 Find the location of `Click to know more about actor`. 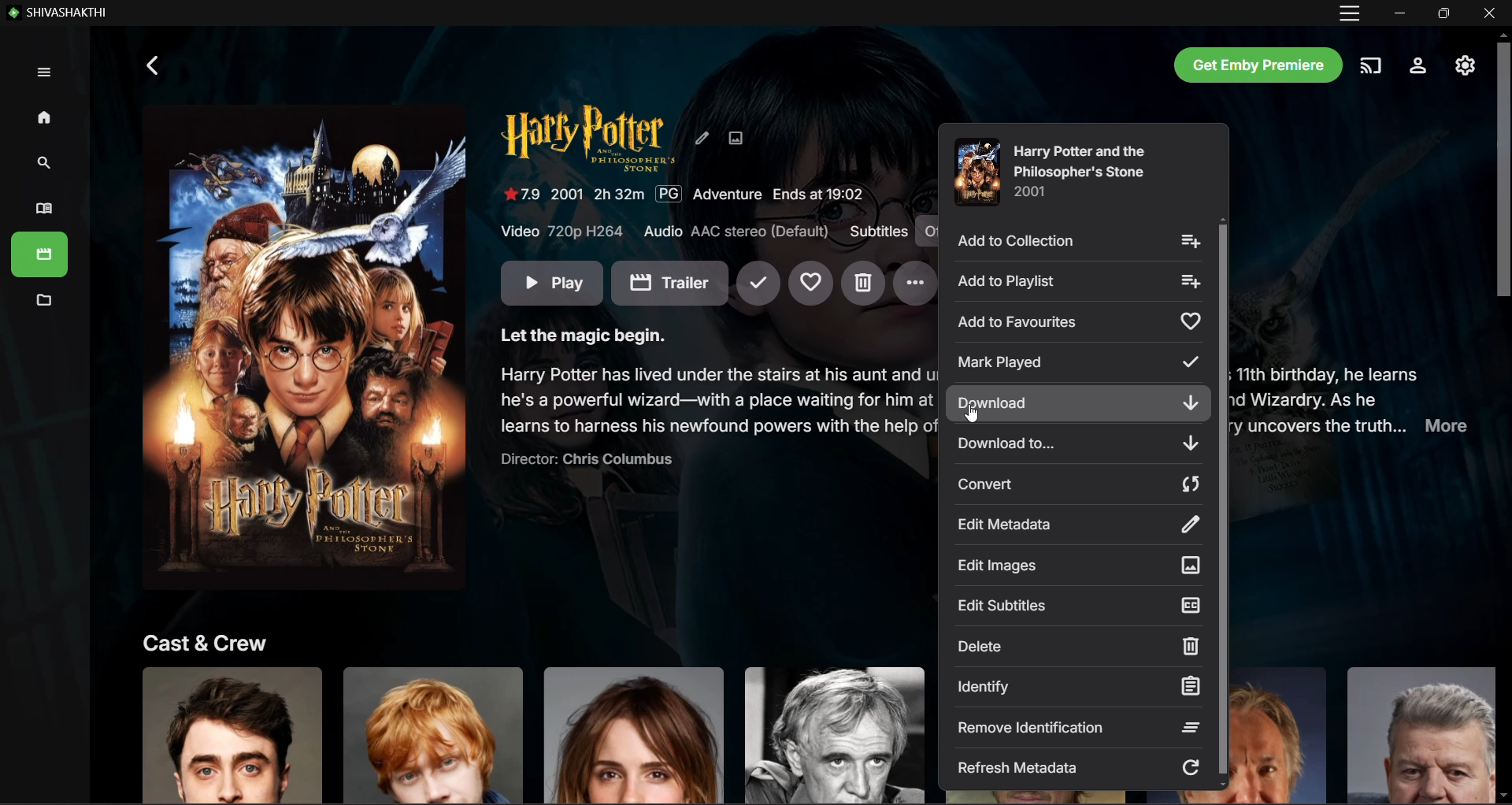

Click to know more about actor is located at coordinates (434, 733).